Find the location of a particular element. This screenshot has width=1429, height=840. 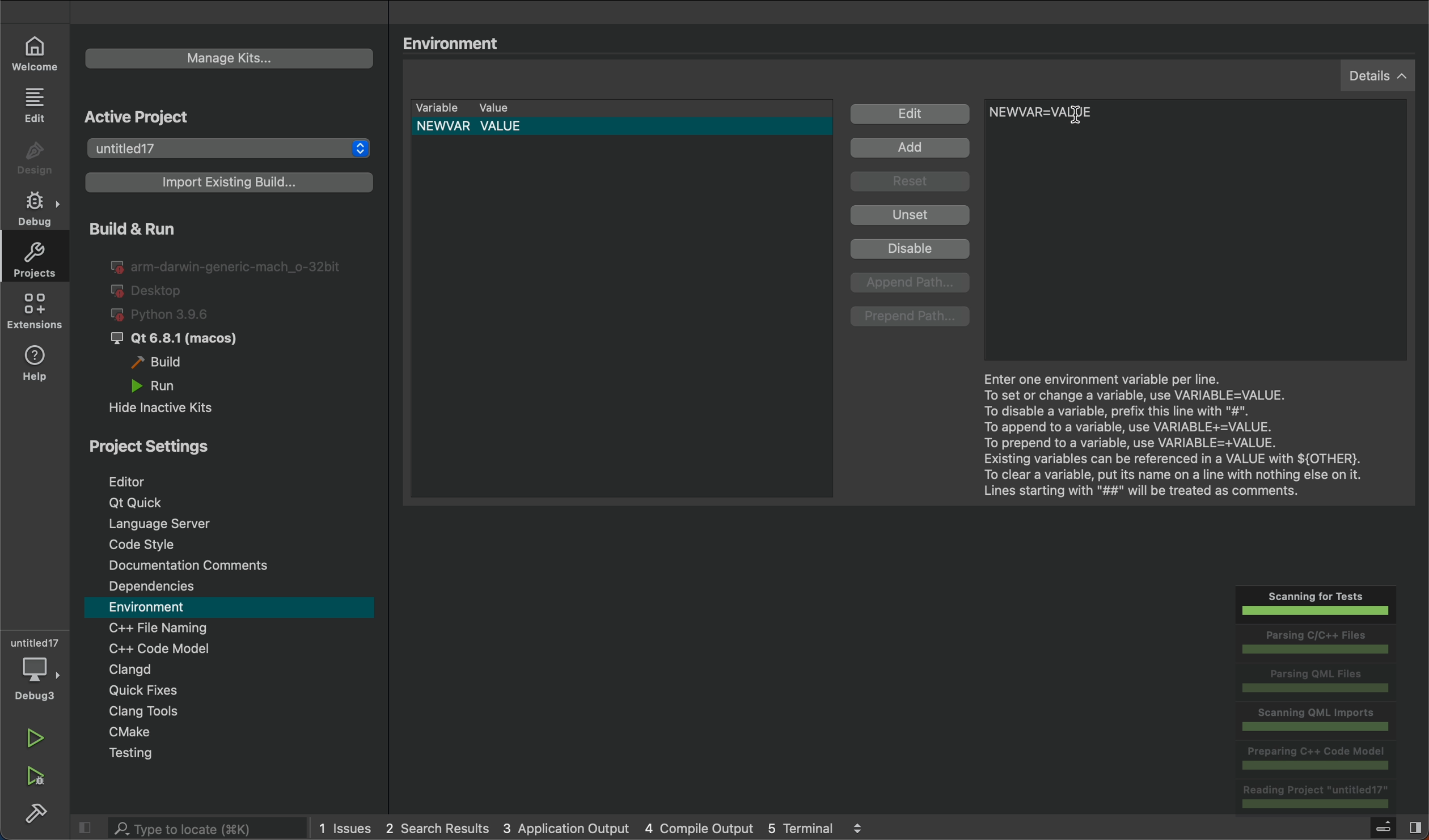

Cursor is located at coordinates (1073, 116).